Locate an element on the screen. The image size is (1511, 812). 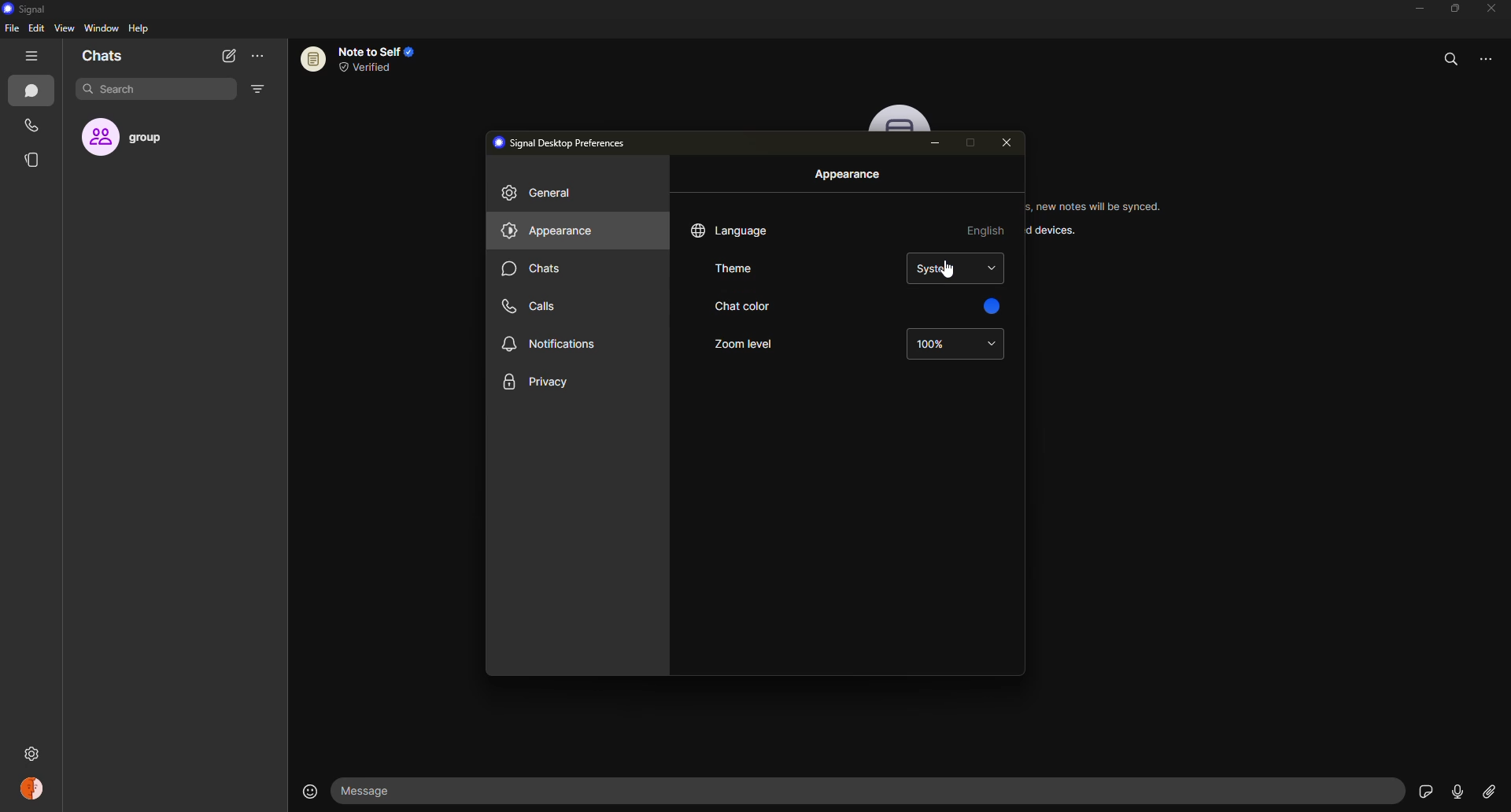
privacy is located at coordinates (539, 382).